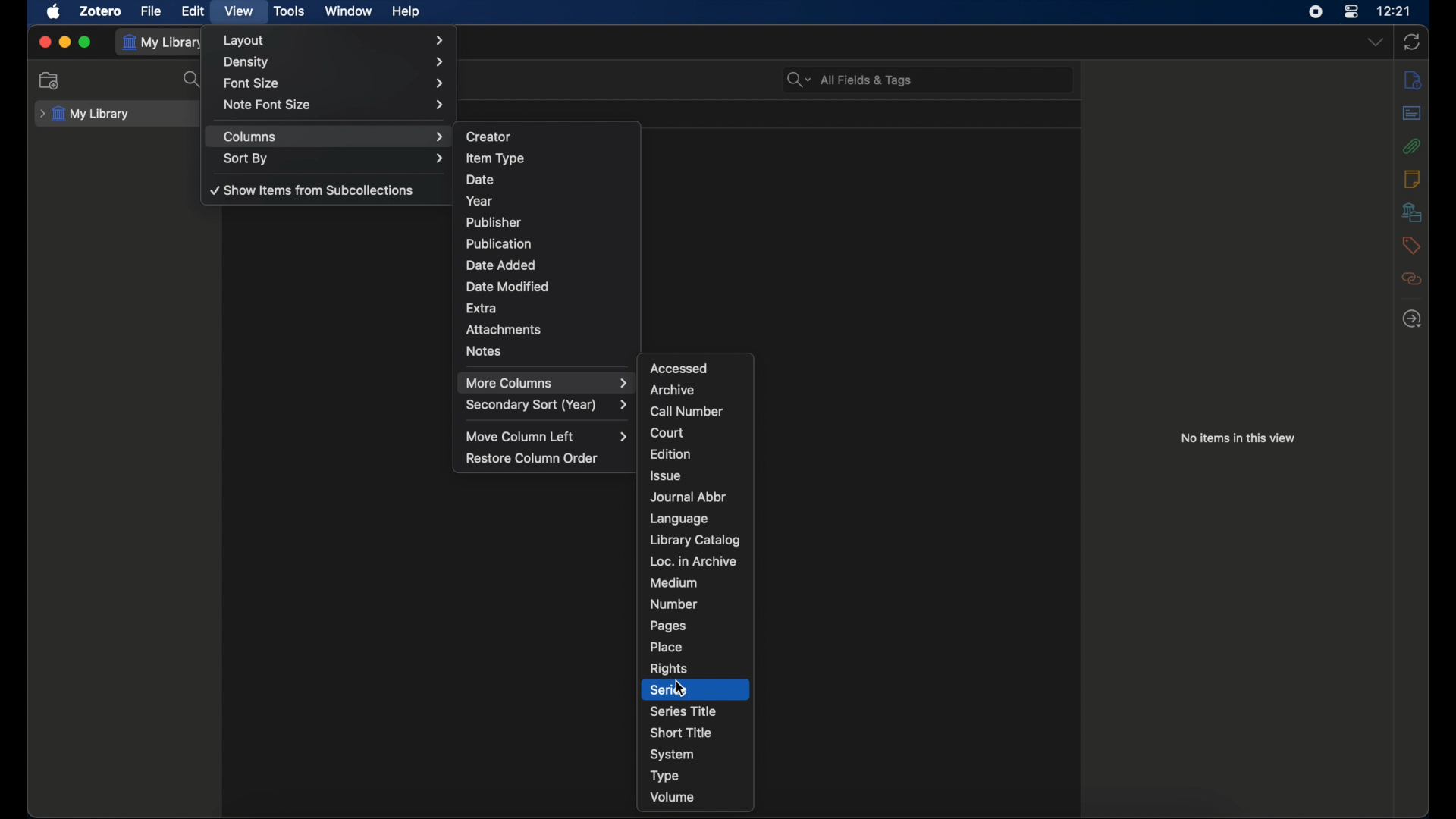  I want to click on screen recorder, so click(1316, 12).